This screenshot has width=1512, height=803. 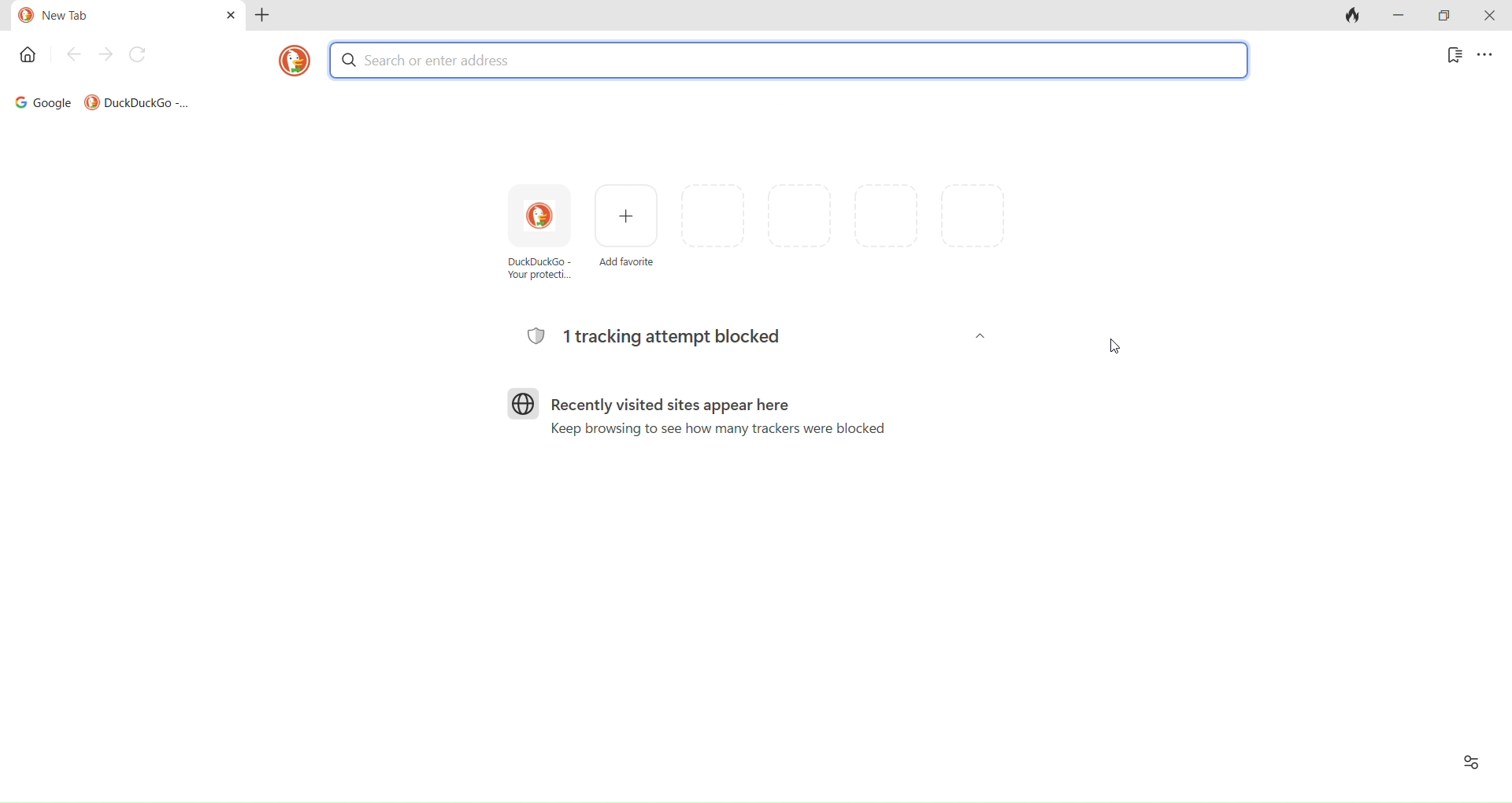 What do you see at coordinates (789, 59) in the screenshot?
I see `search bar` at bounding box center [789, 59].